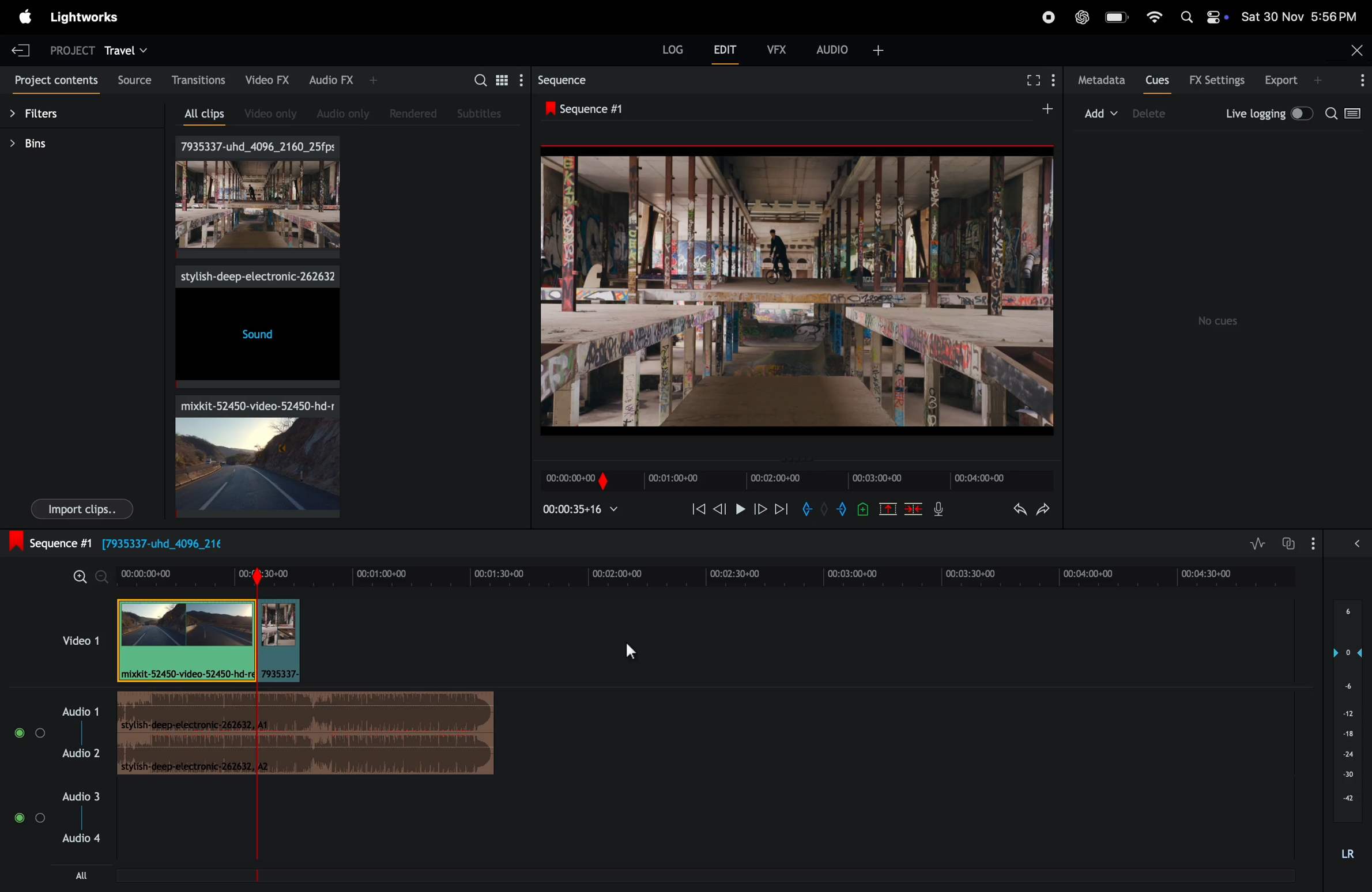  What do you see at coordinates (280, 641) in the screenshot?
I see `added clip` at bounding box center [280, 641].